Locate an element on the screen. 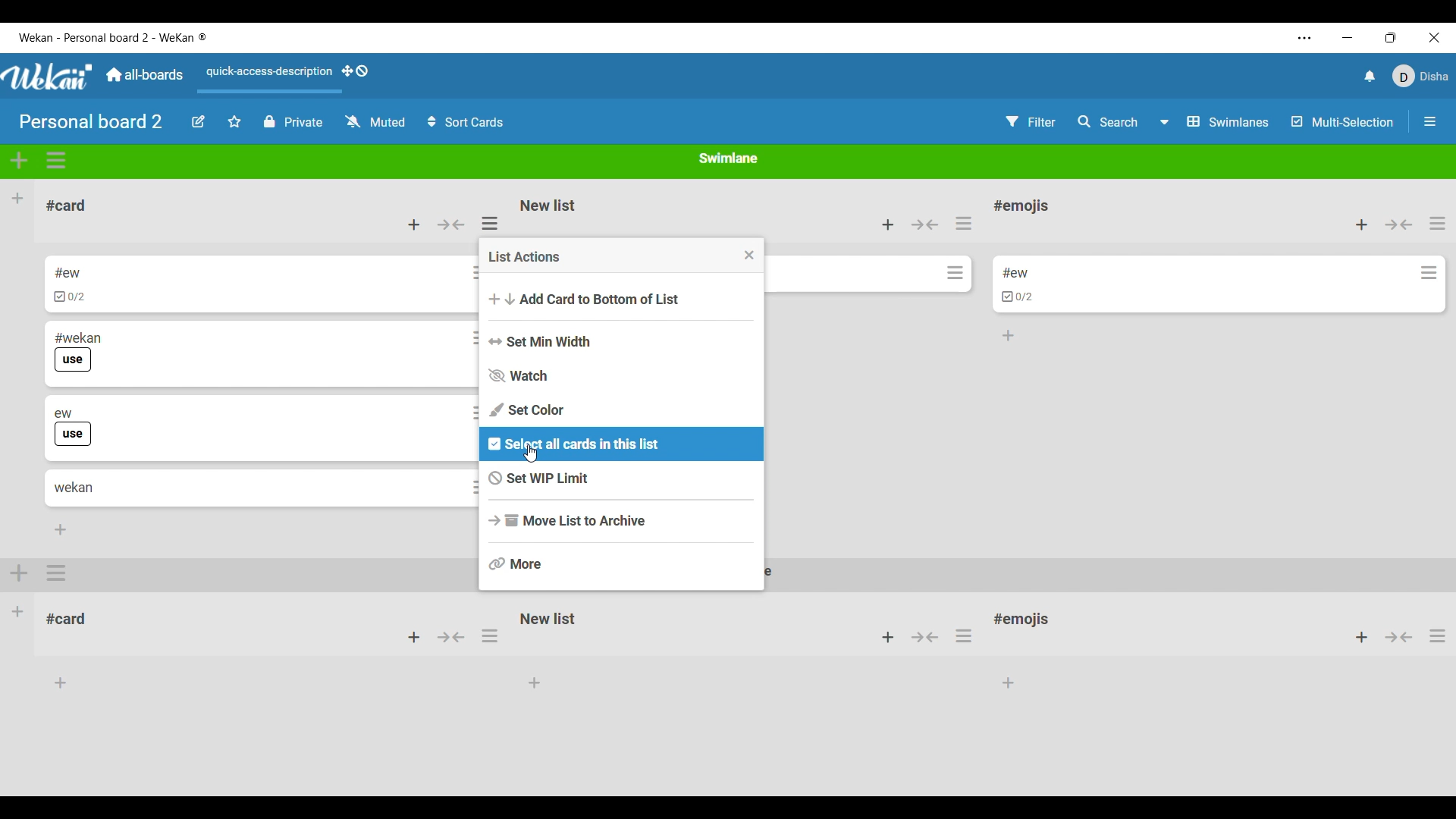 This screenshot has width=1456, height=819. Current account is located at coordinates (1421, 75).